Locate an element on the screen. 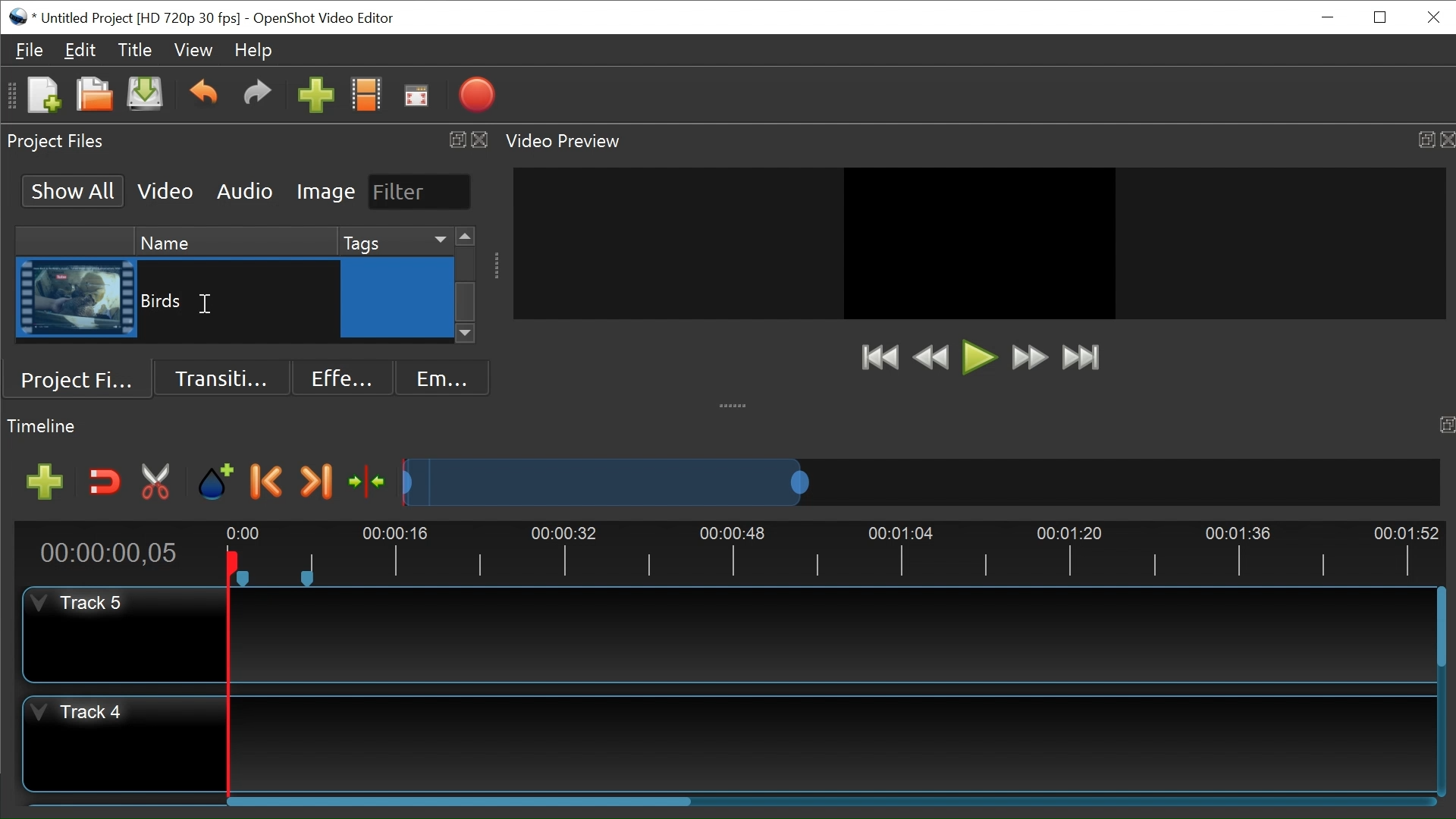 This screenshot has width=1456, height=819. Project Name is located at coordinates (144, 17).